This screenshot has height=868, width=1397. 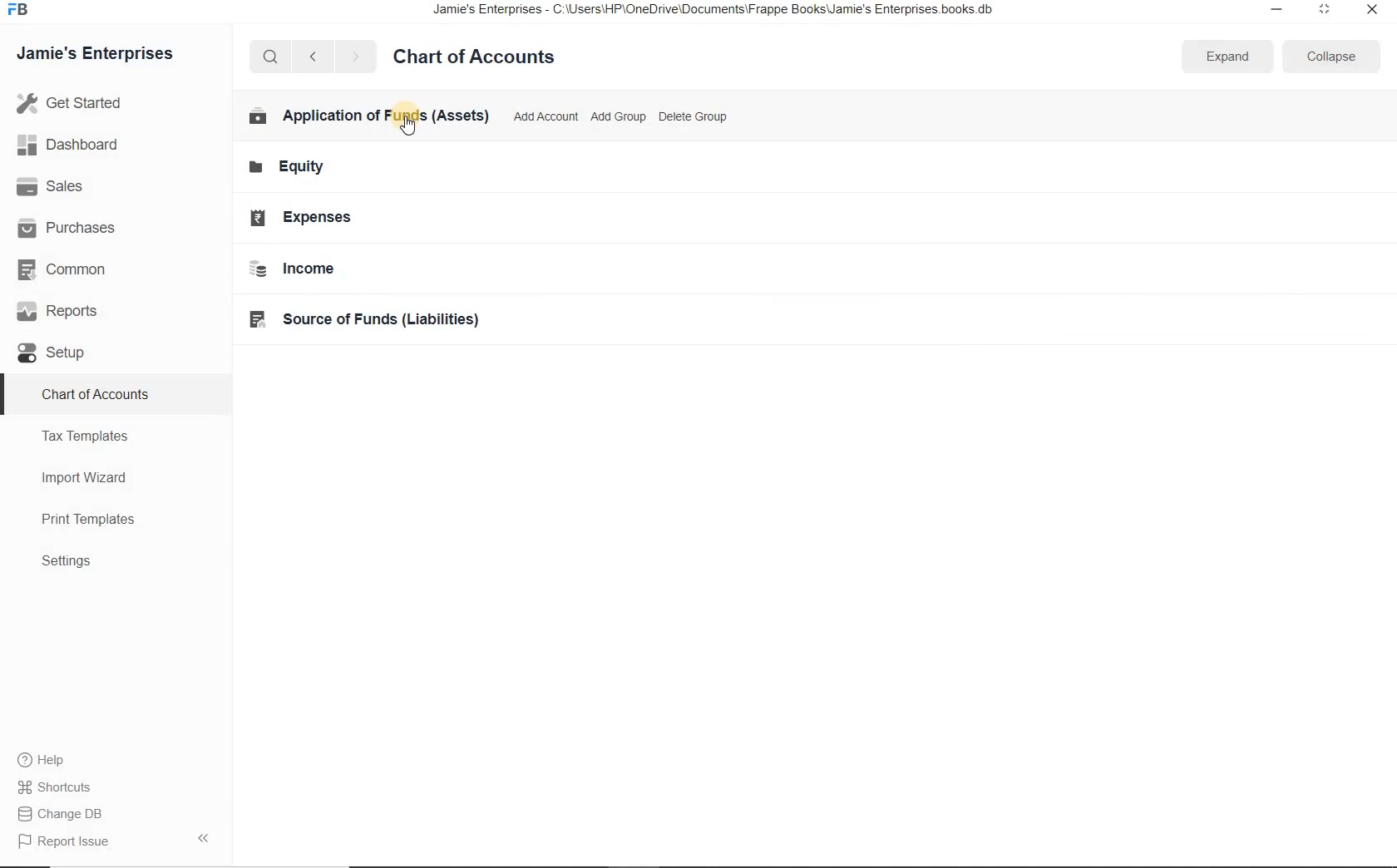 What do you see at coordinates (77, 272) in the screenshot?
I see `common` at bounding box center [77, 272].